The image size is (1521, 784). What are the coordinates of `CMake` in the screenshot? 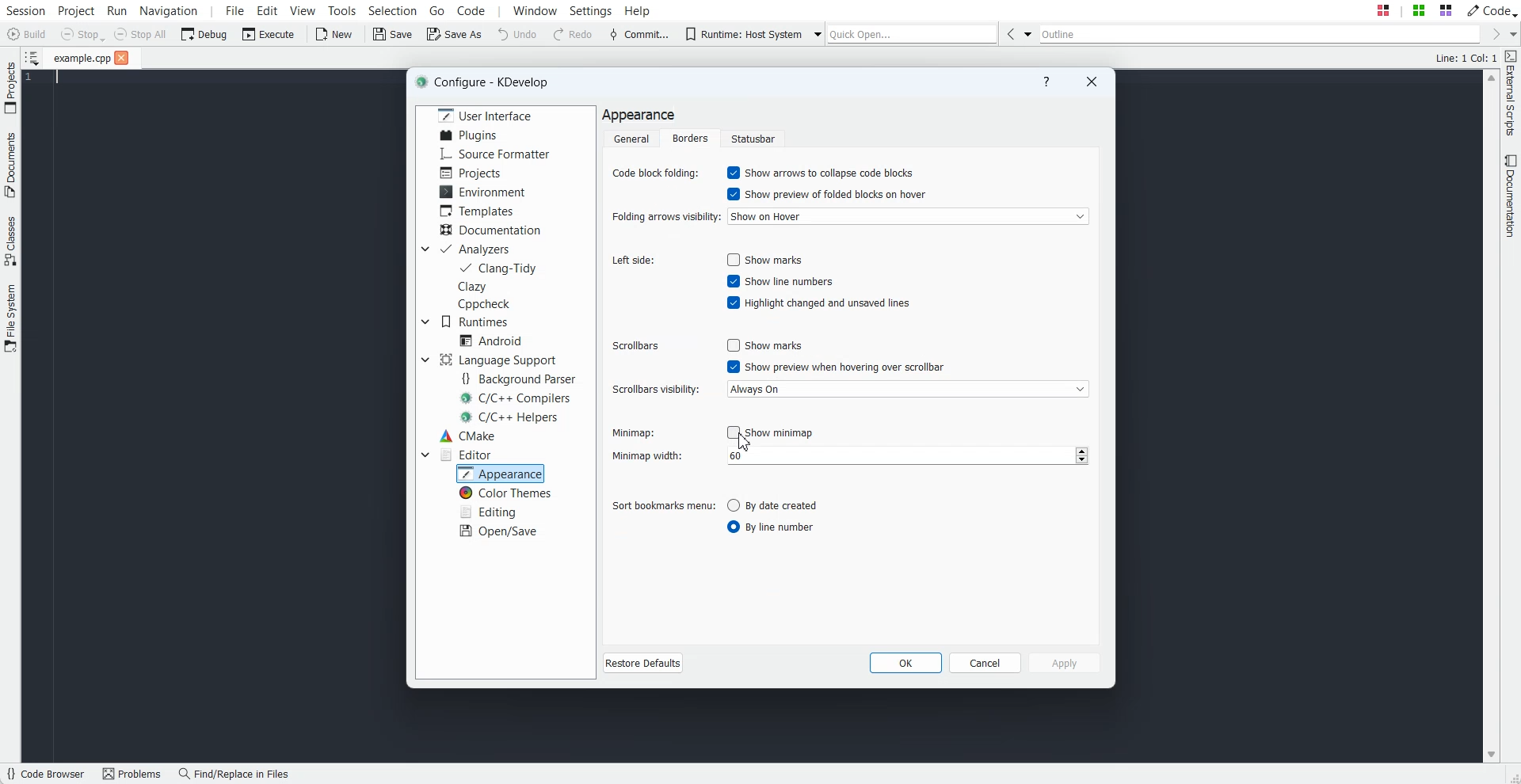 It's located at (469, 436).